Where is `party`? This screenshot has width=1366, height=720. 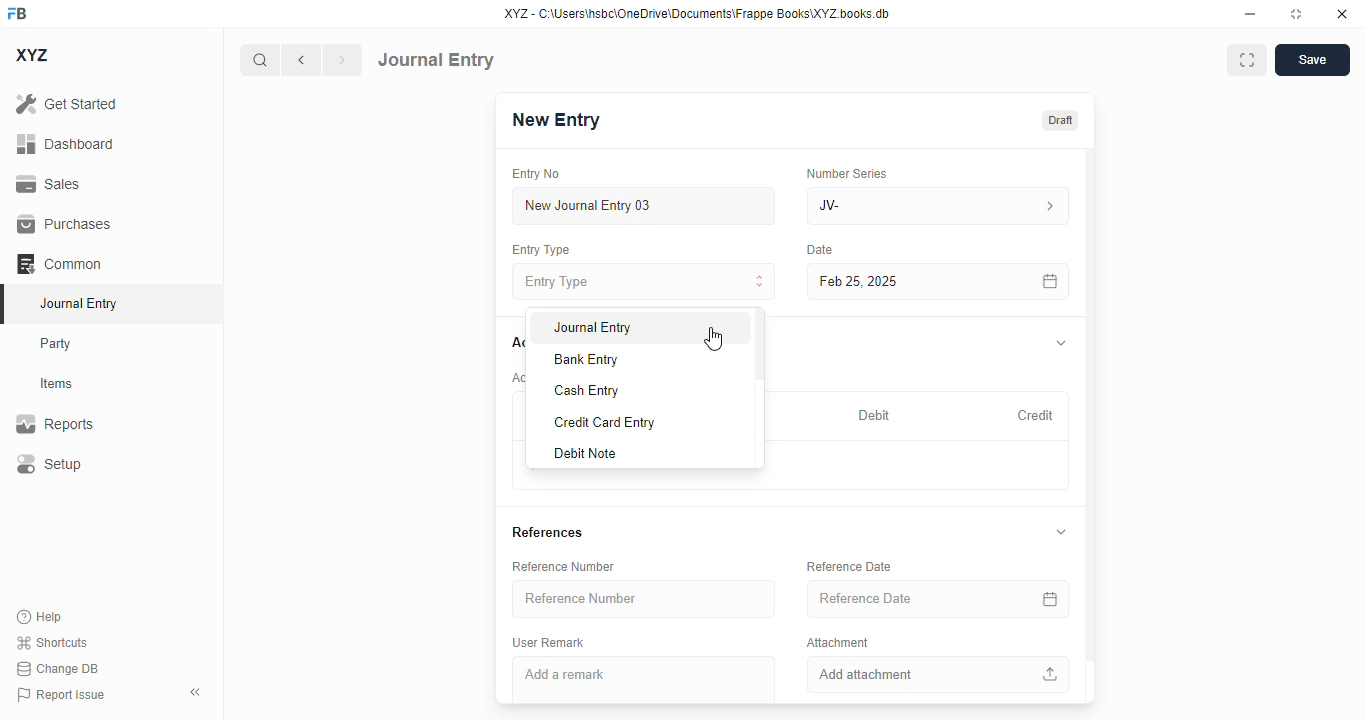
party is located at coordinates (56, 344).